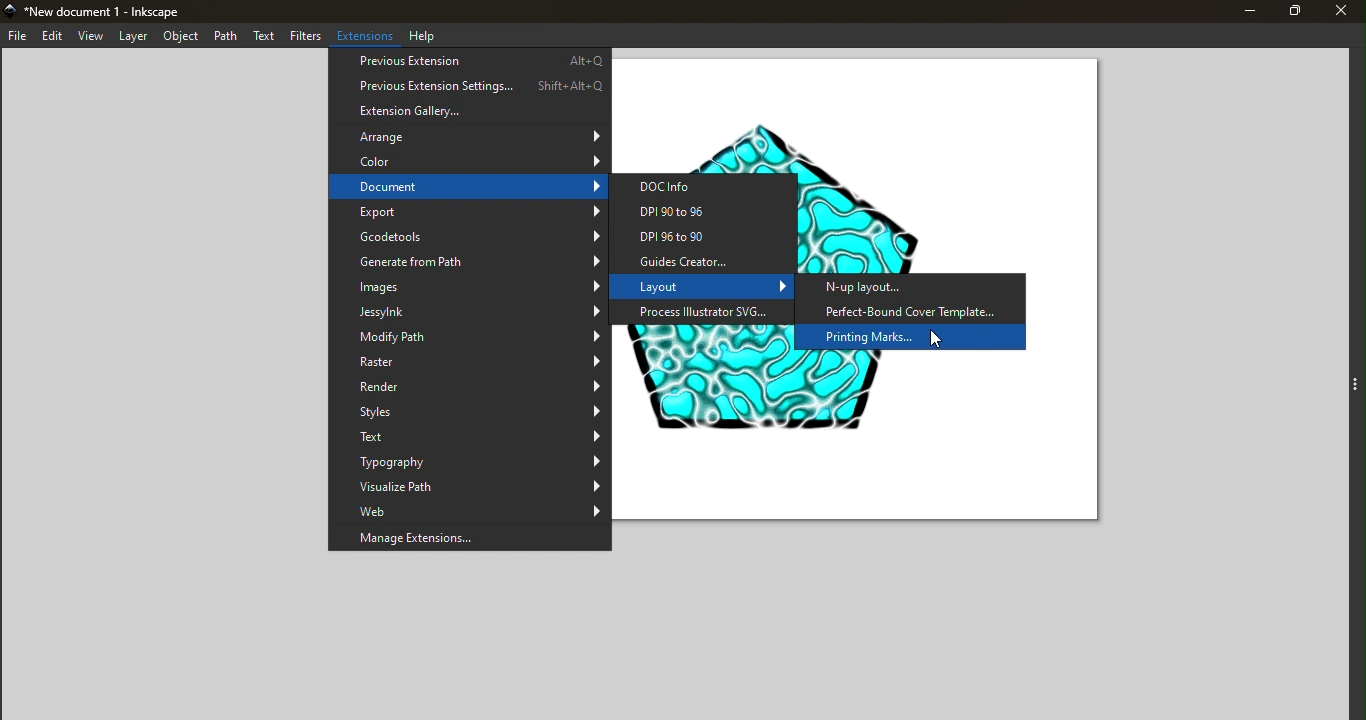  What do you see at coordinates (469, 509) in the screenshot?
I see `Web` at bounding box center [469, 509].